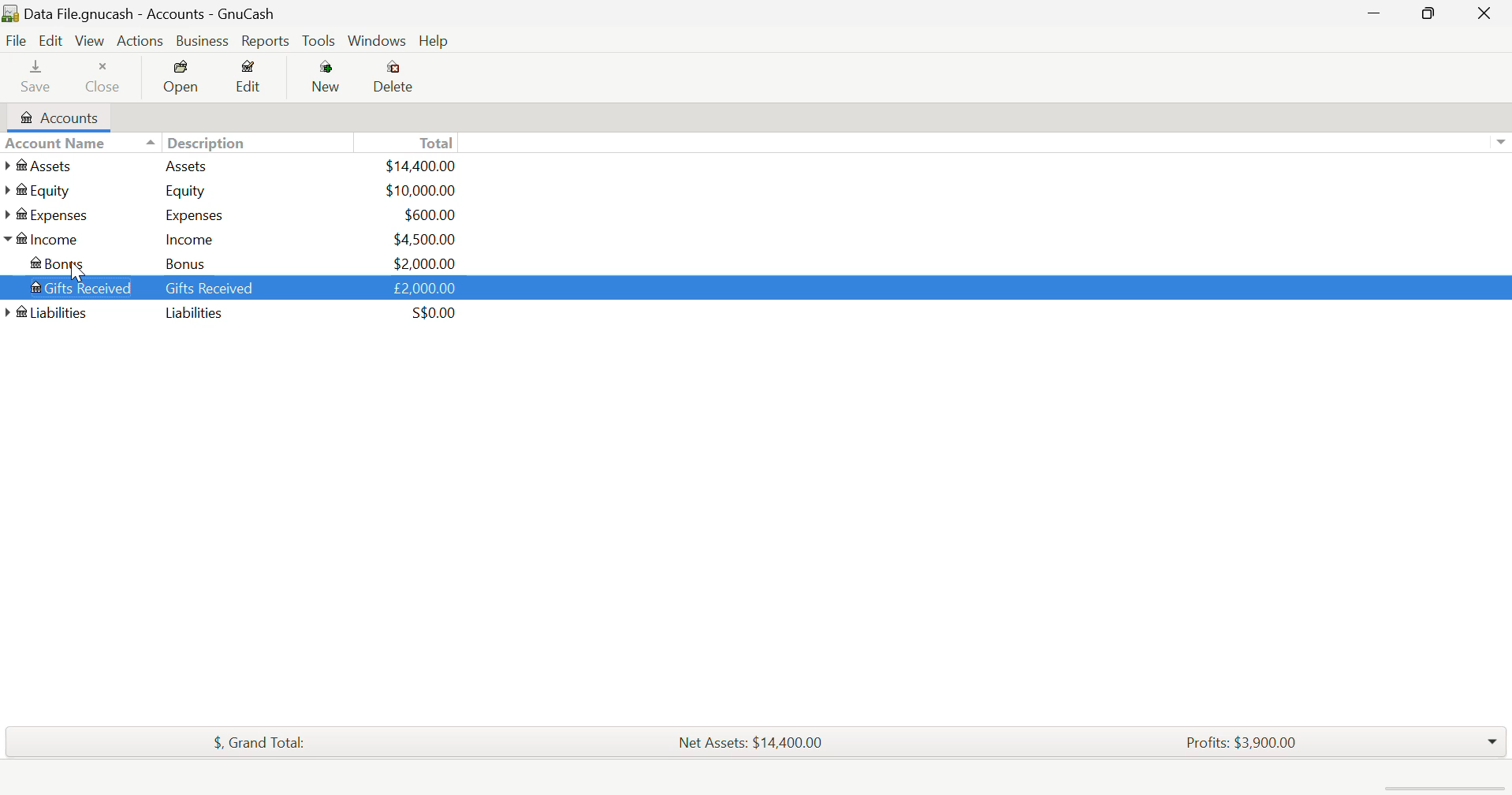 This screenshot has height=795, width=1512. I want to click on Total, so click(432, 141).